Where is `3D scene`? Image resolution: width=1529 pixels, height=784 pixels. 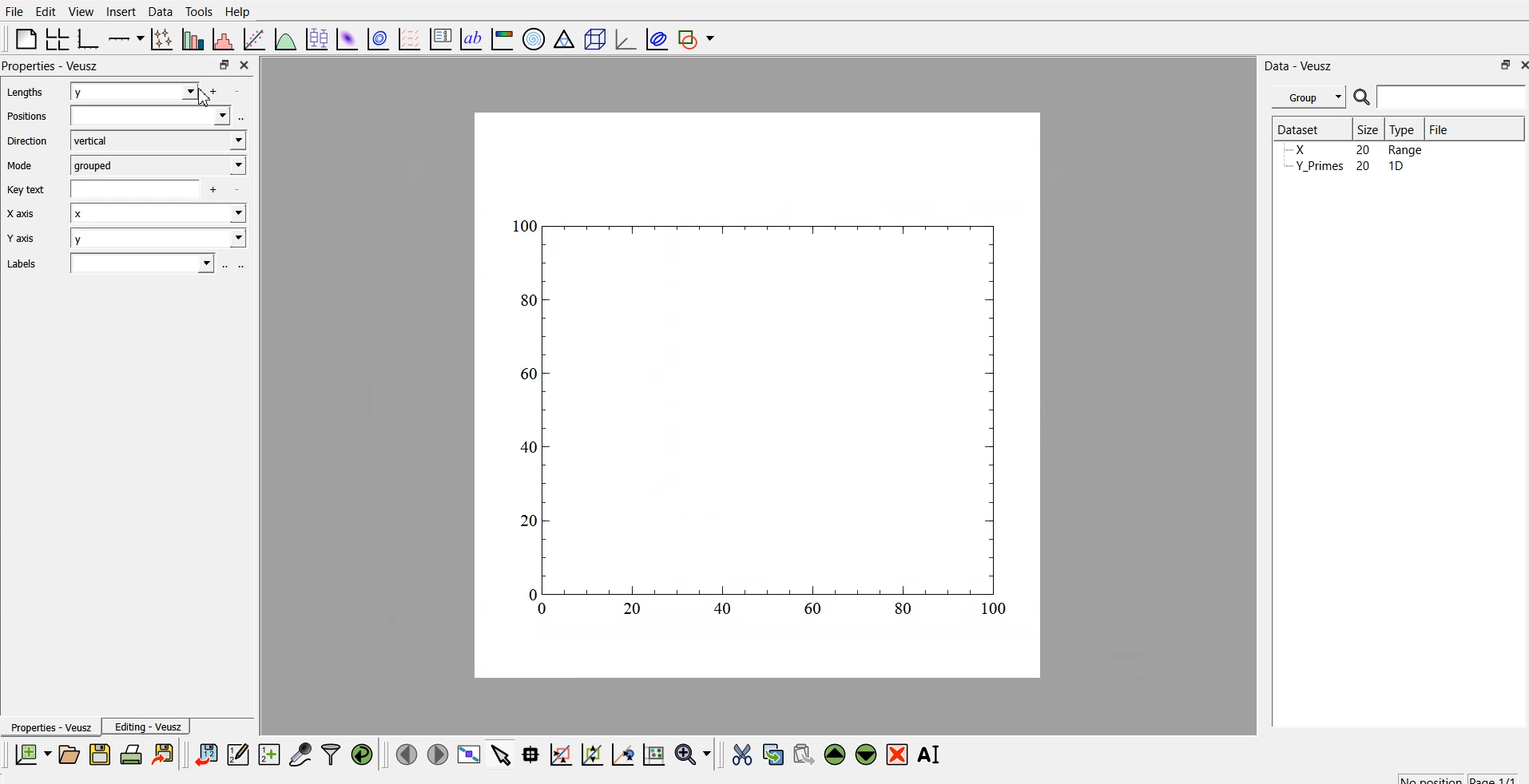 3D scene is located at coordinates (595, 41).